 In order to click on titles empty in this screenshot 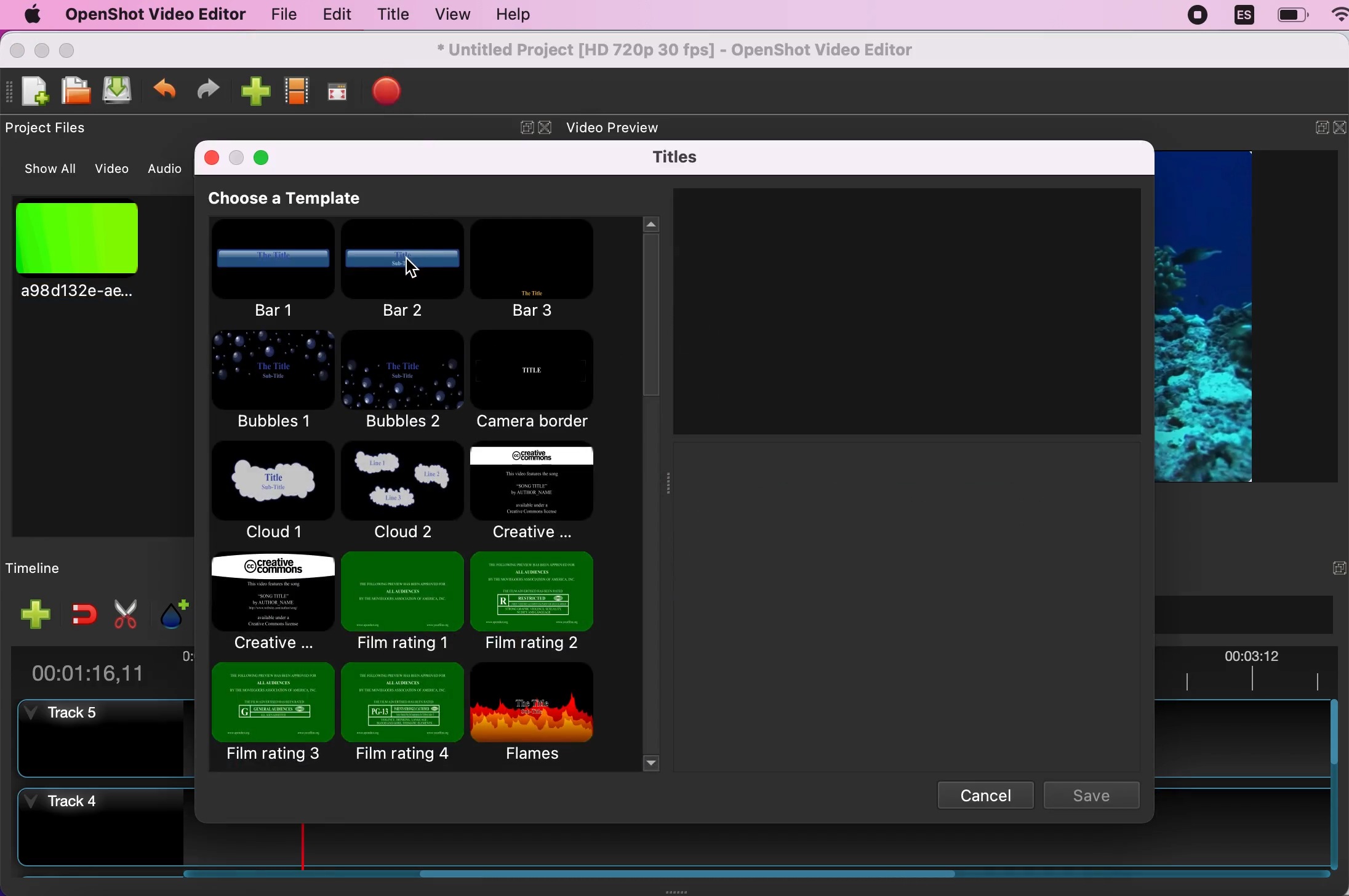, I will do `click(908, 306)`.